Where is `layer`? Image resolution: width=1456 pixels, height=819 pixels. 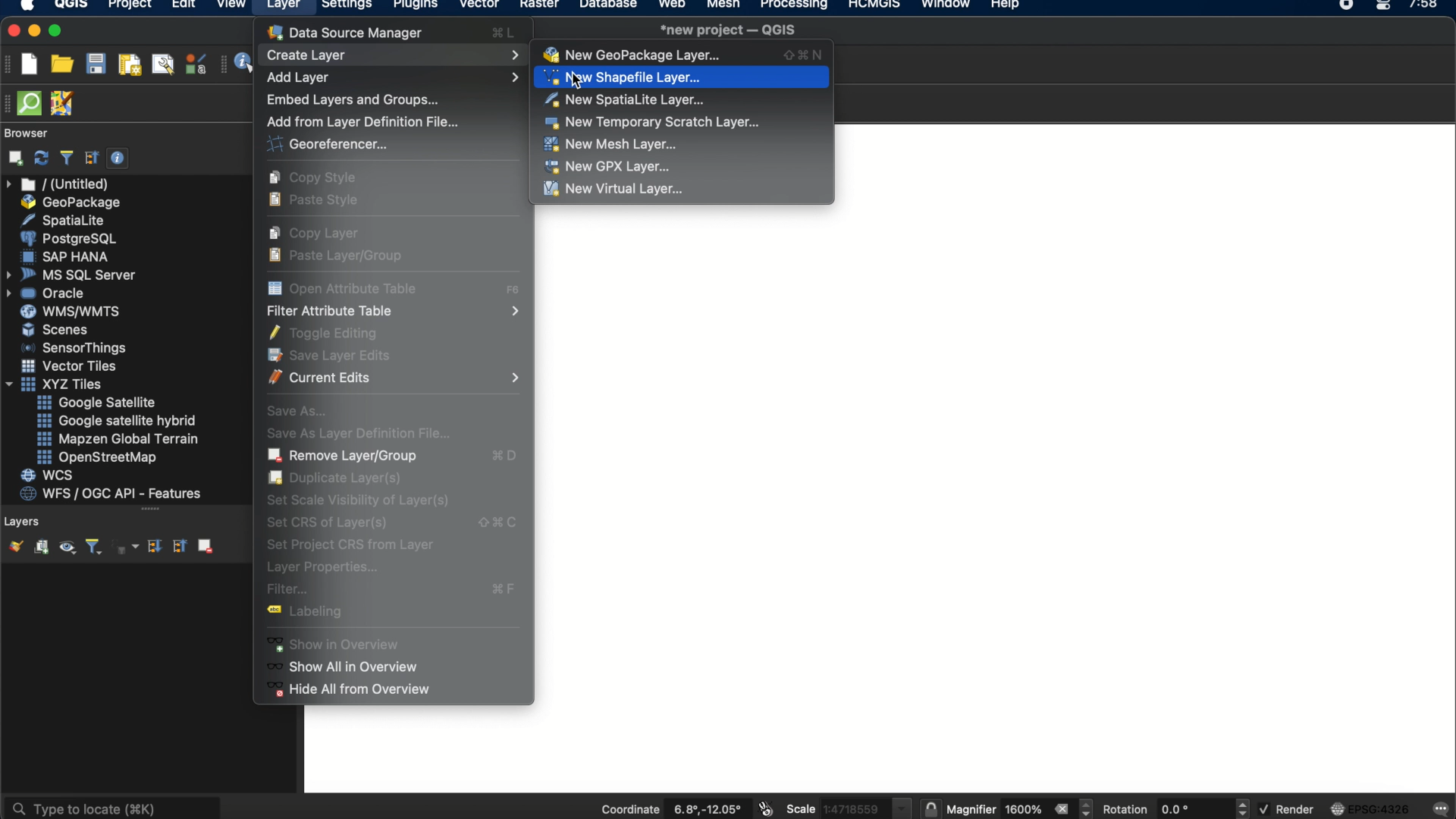
layer is located at coordinates (284, 8).